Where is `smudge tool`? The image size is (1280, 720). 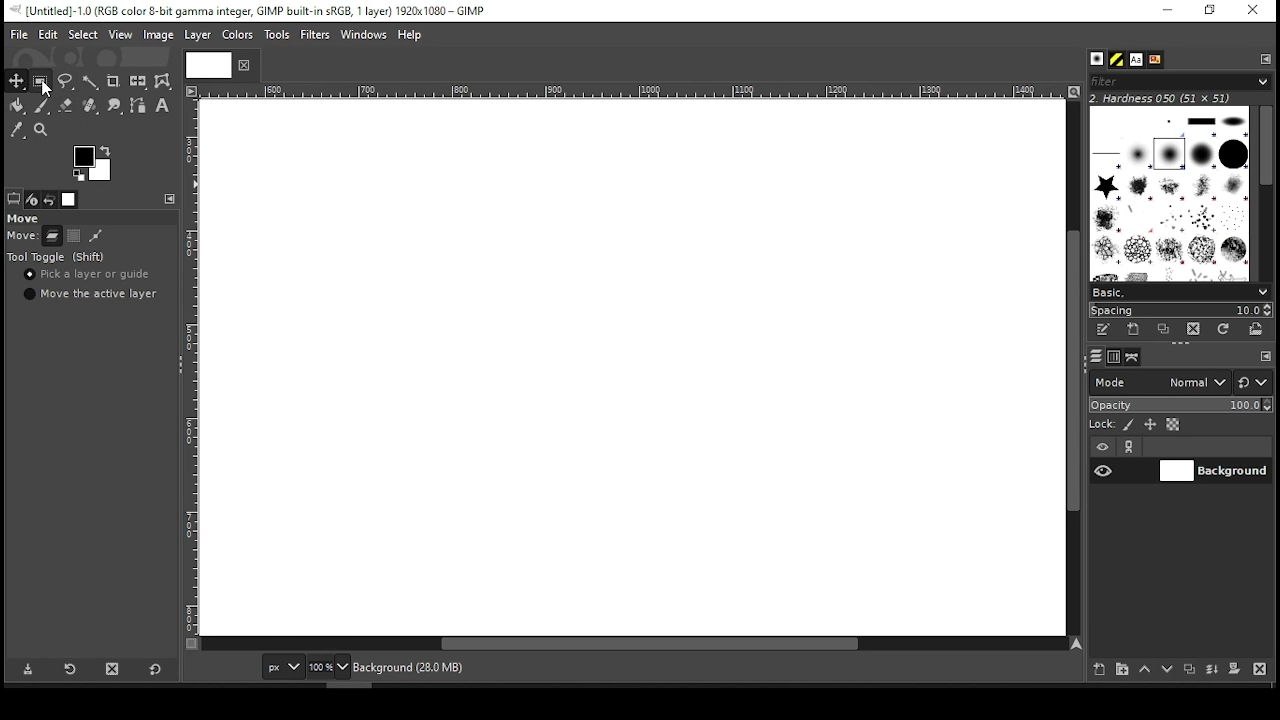 smudge tool is located at coordinates (116, 106).